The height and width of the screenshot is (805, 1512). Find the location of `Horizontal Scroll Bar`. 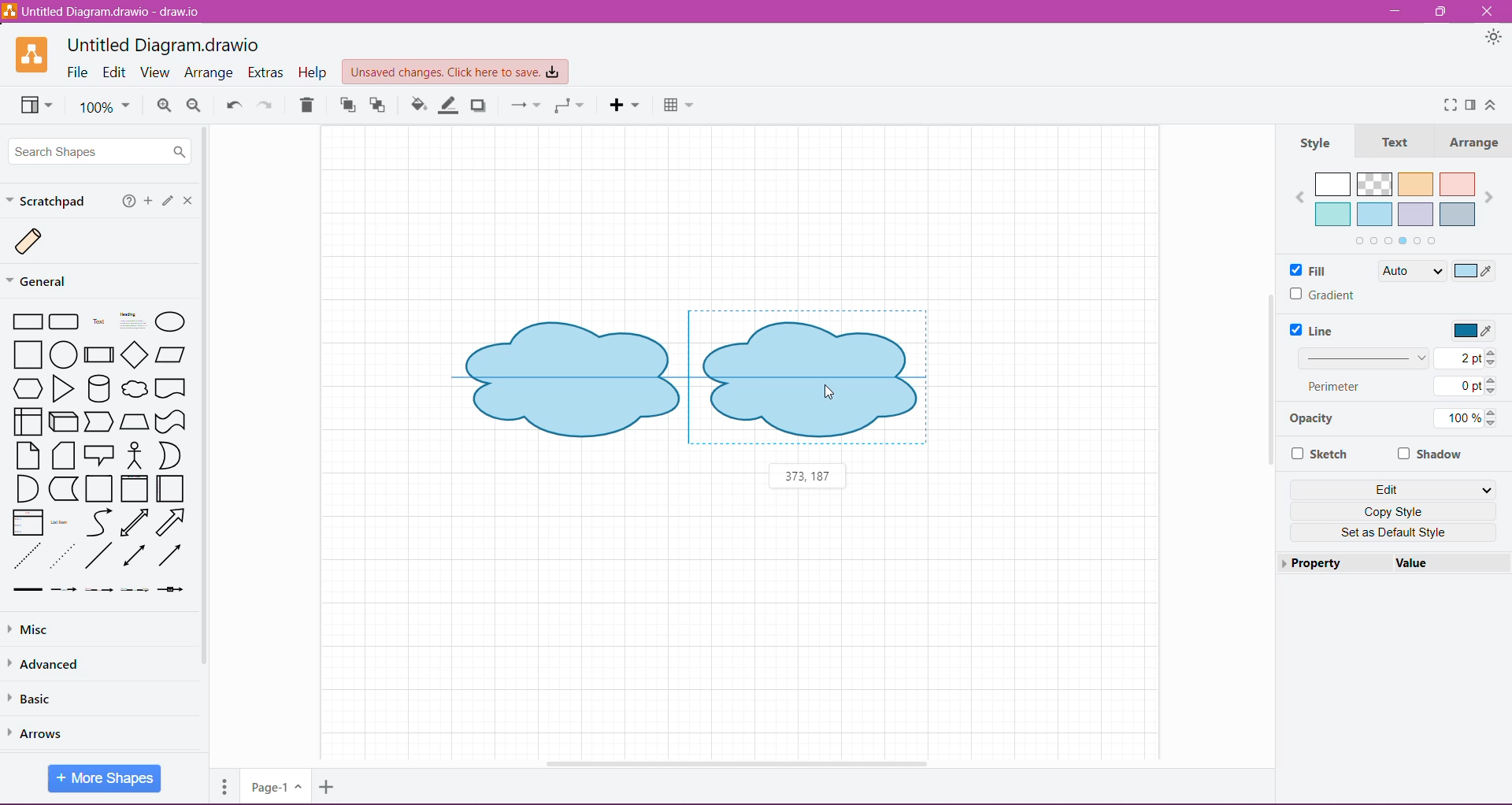

Horizontal Scroll Bar is located at coordinates (735, 763).